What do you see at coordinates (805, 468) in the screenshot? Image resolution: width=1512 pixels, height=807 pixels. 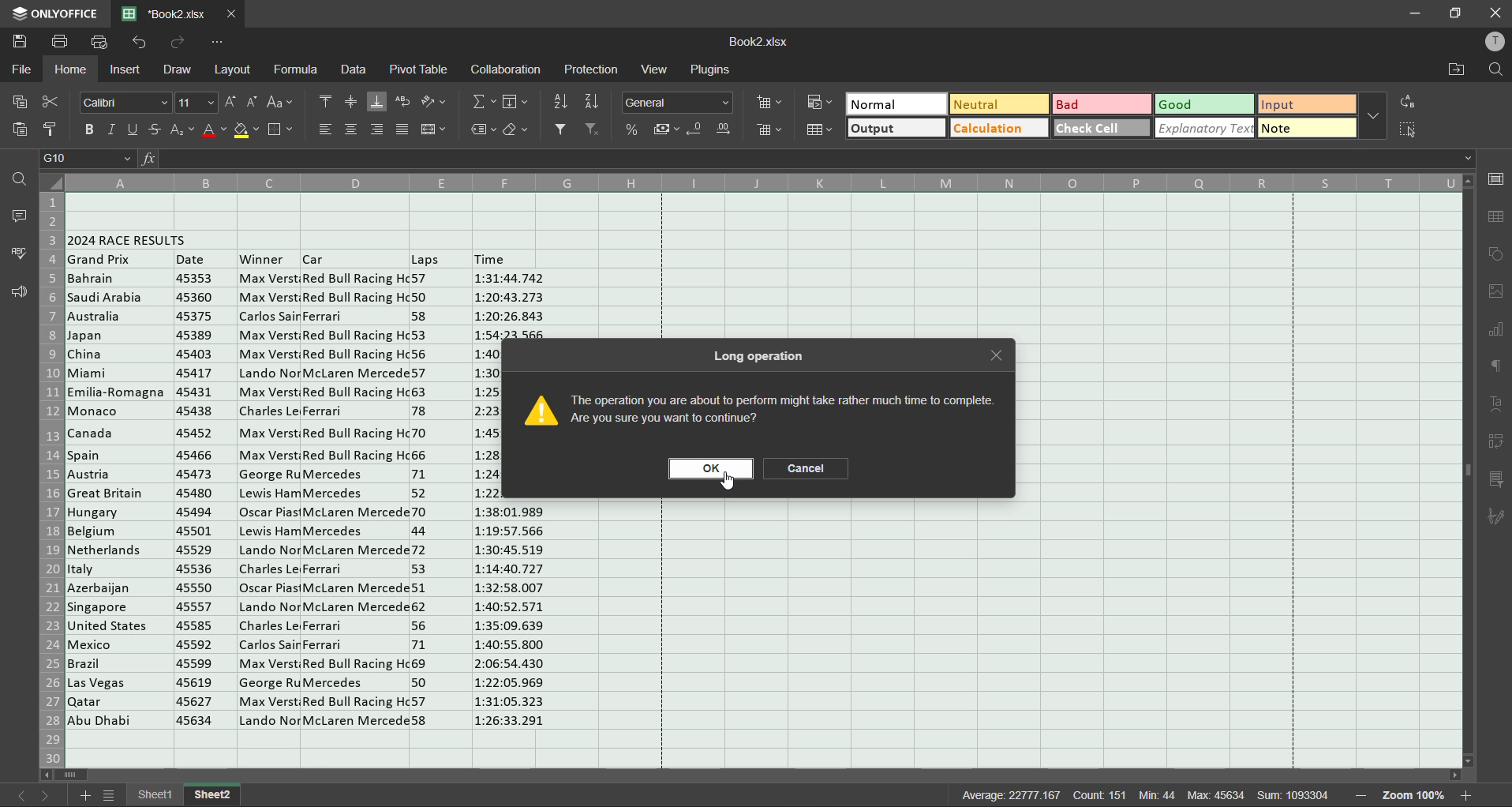 I see `cancel` at bounding box center [805, 468].